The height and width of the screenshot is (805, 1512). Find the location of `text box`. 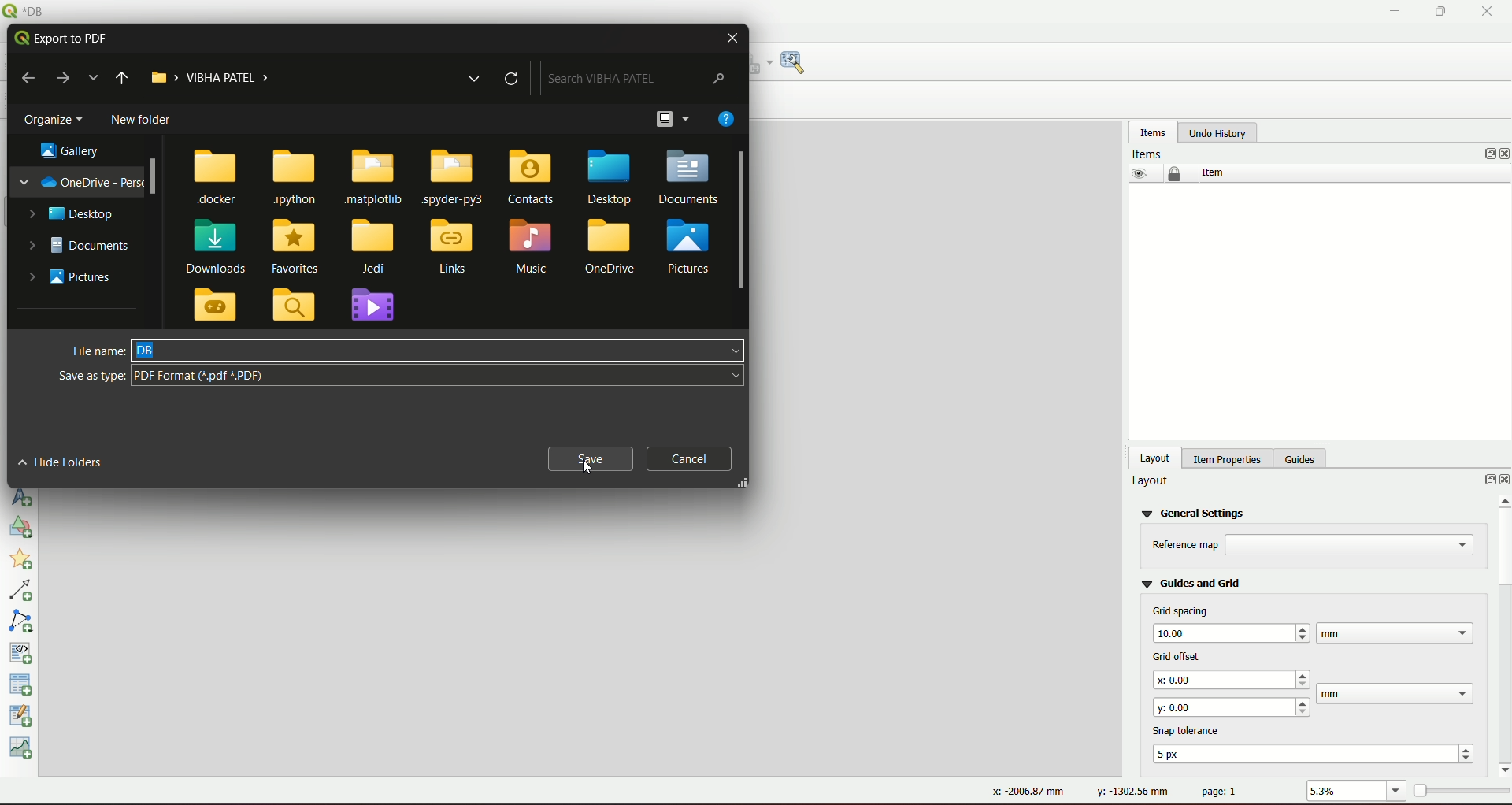

text box is located at coordinates (1351, 545).